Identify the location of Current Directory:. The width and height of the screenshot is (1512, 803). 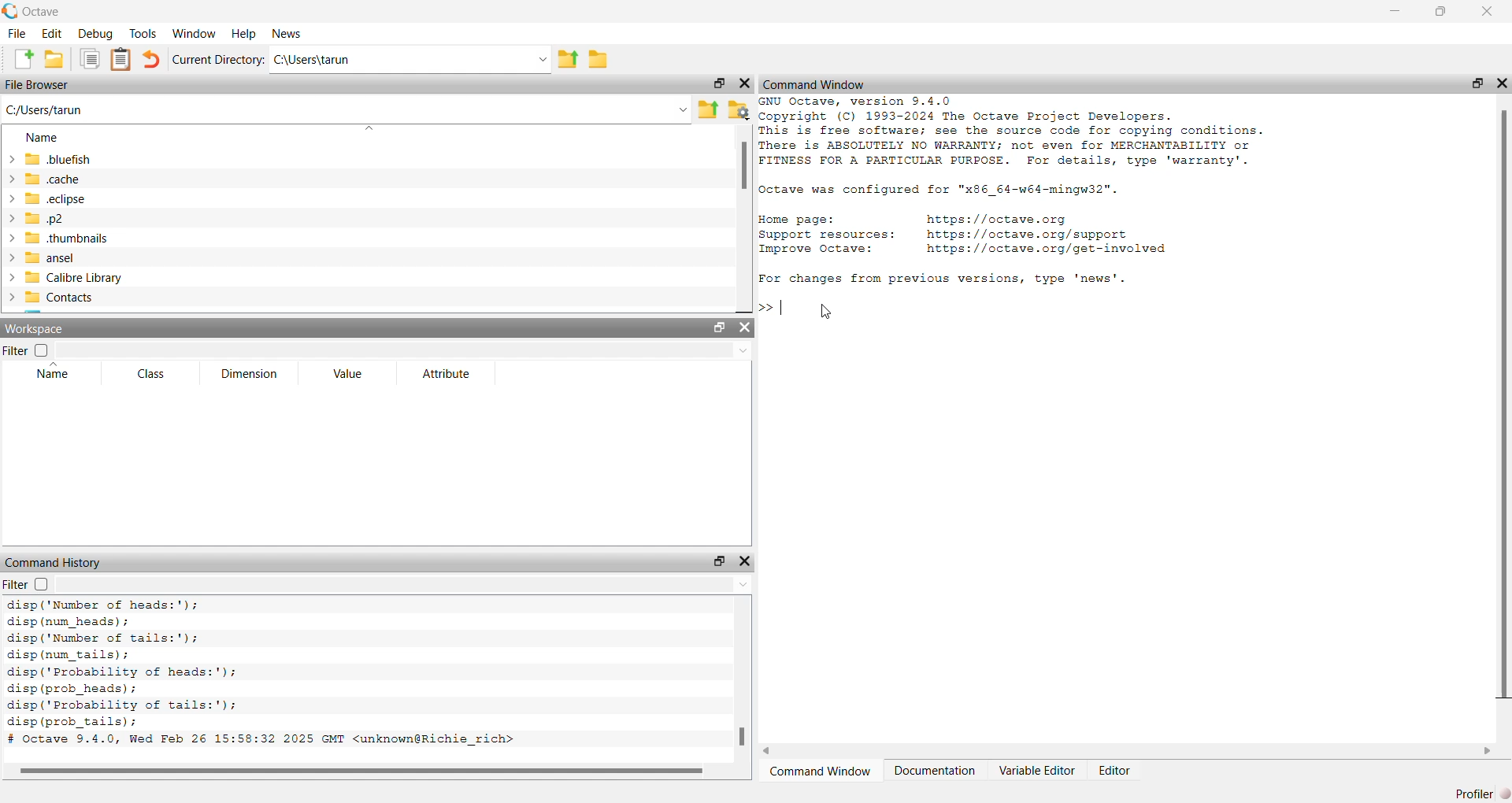
(218, 59).